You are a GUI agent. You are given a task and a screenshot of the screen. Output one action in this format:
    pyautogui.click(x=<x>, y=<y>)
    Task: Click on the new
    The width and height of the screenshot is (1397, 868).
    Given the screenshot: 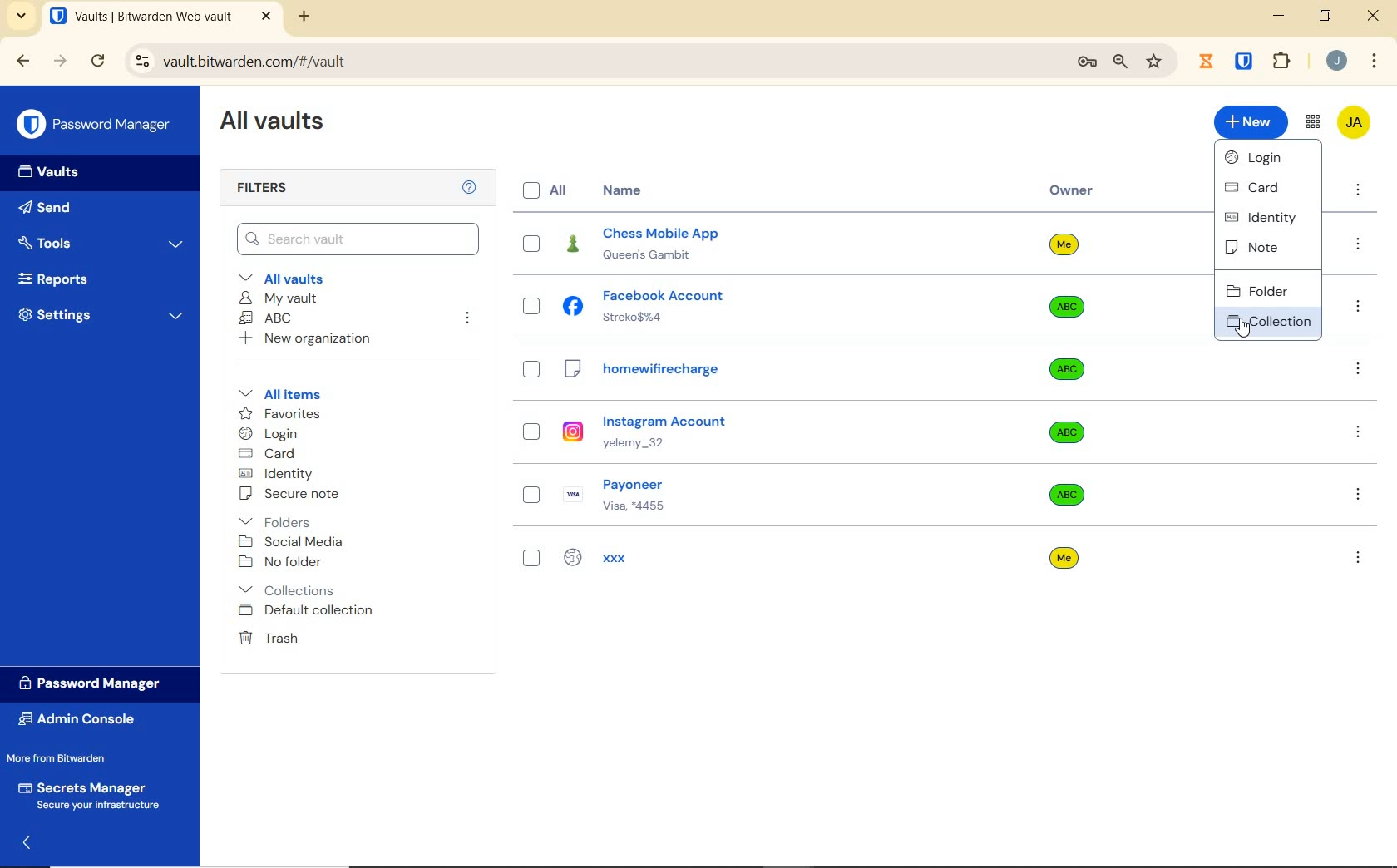 What is the action you would take?
    pyautogui.click(x=1251, y=122)
    